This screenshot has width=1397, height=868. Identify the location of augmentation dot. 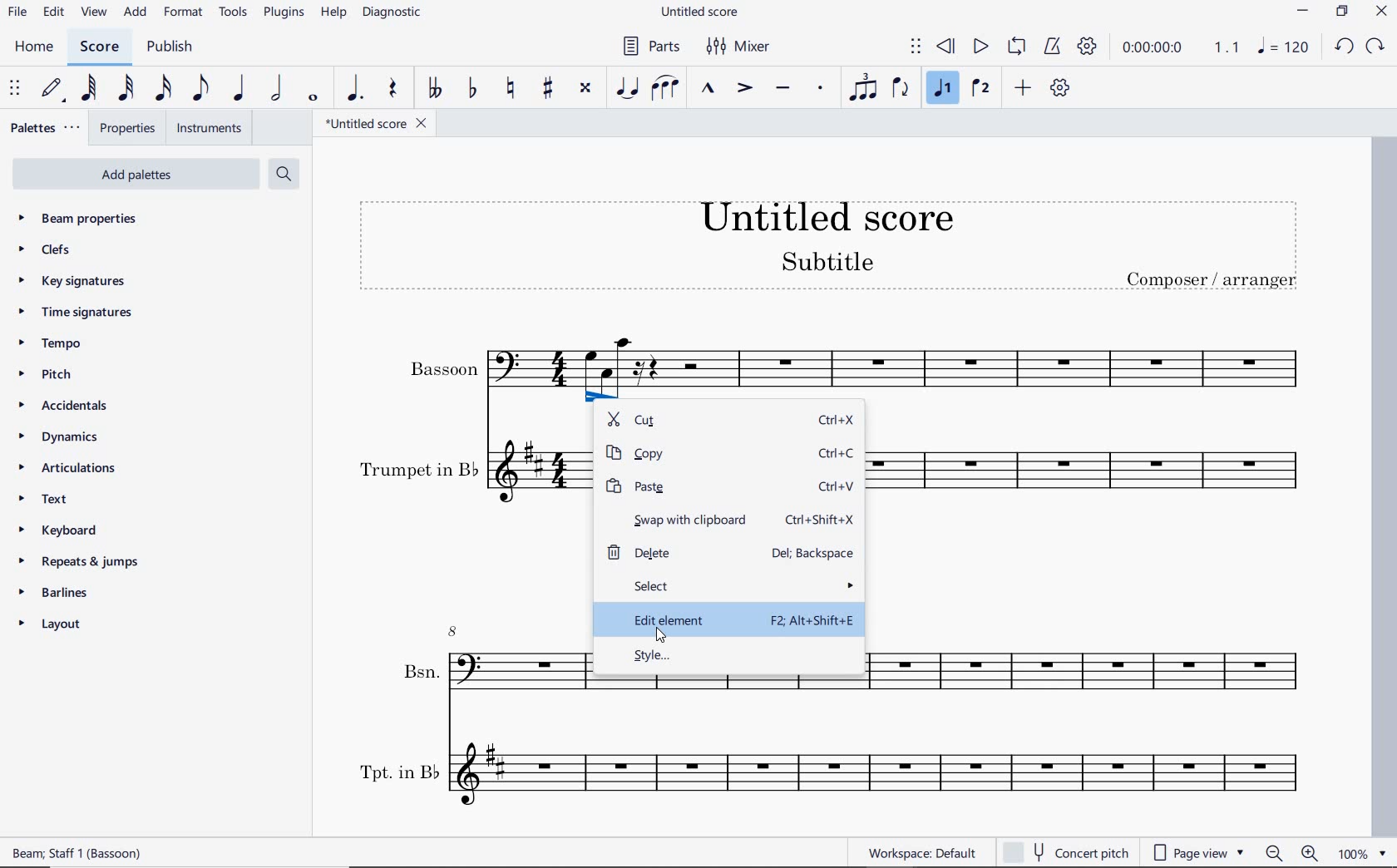
(355, 87).